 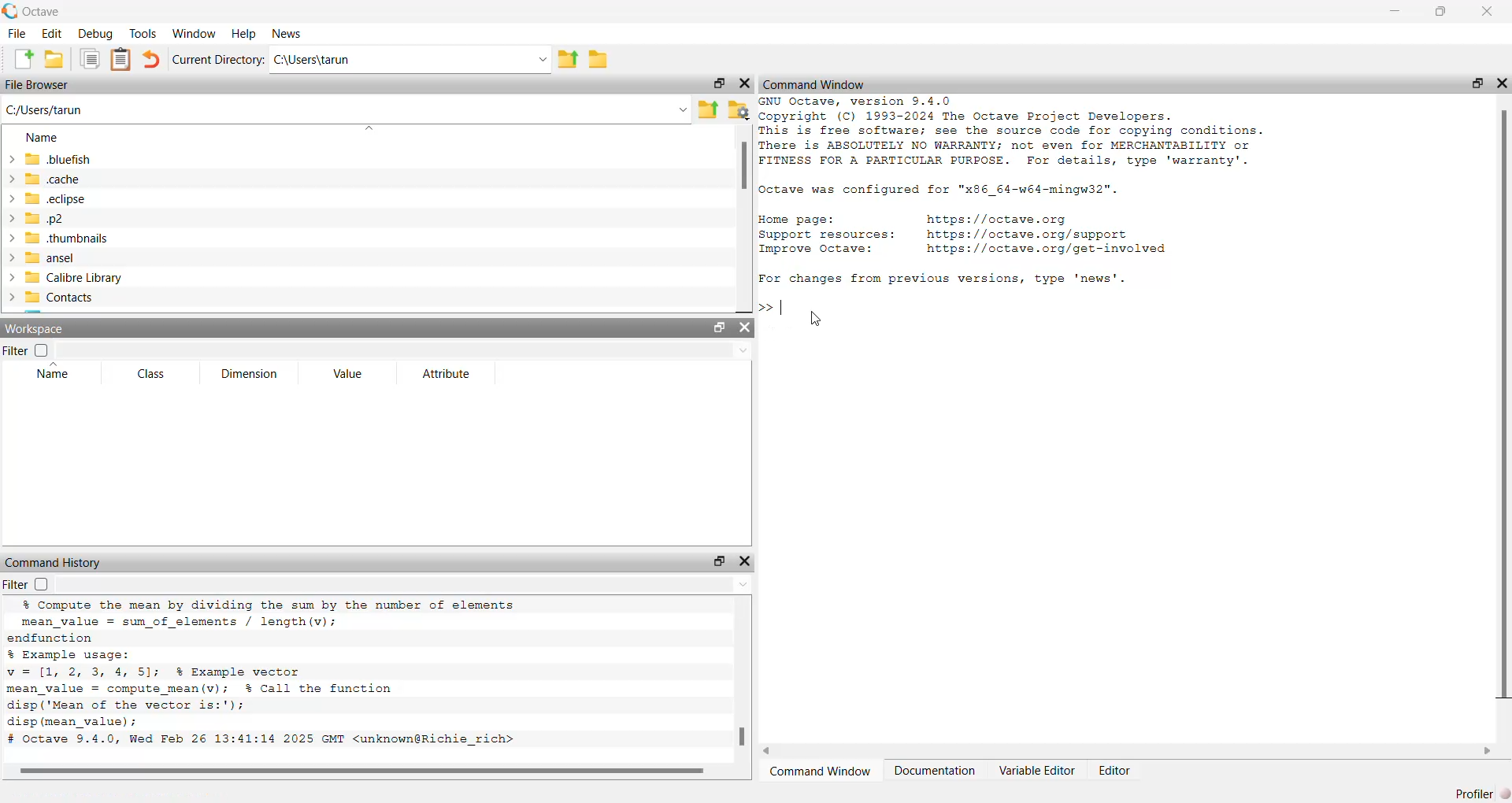 What do you see at coordinates (97, 34) in the screenshot?
I see `debug` at bounding box center [97, 34].